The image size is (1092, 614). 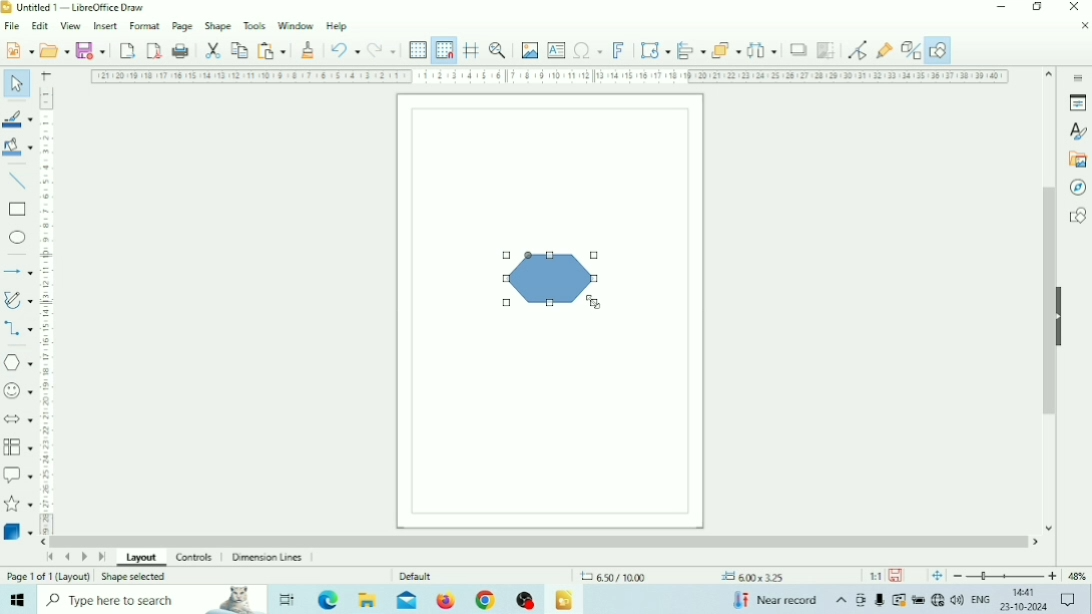 I want to click on Lines and Arrows, so click(x=17, y=271).